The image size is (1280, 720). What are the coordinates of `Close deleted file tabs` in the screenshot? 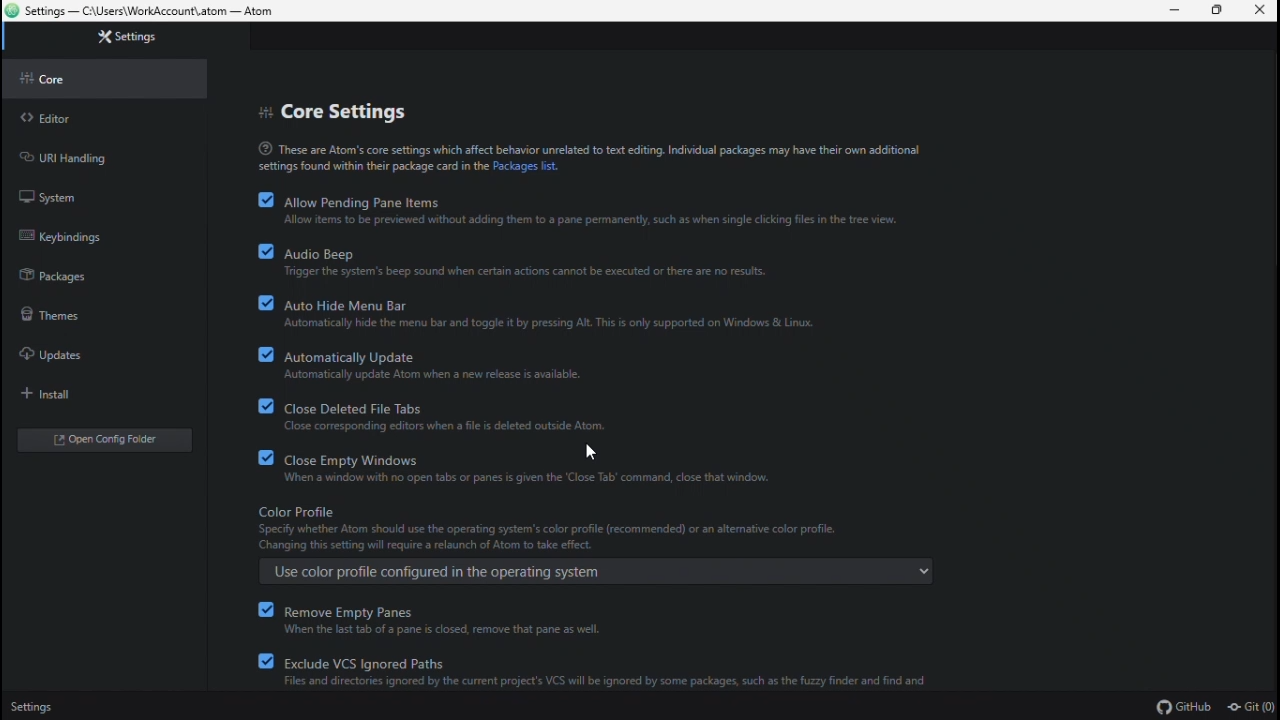 It's located at (452, 416).